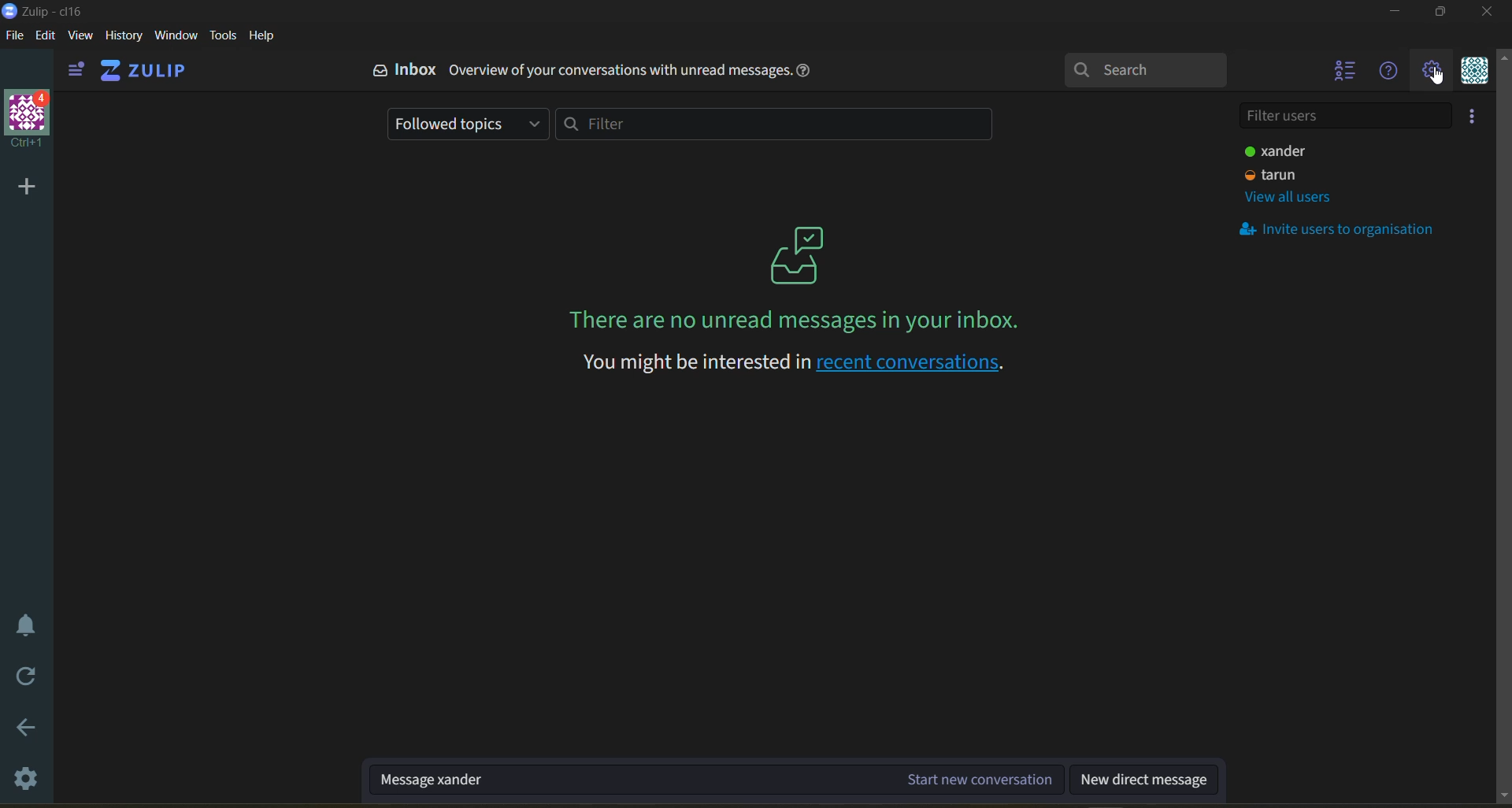 This screenshot has height=808, width=1512. What do you see at coordinates (1472, 114) in the screenshot?
I see `invite users to organisation` at bounding box center [1472, 114].